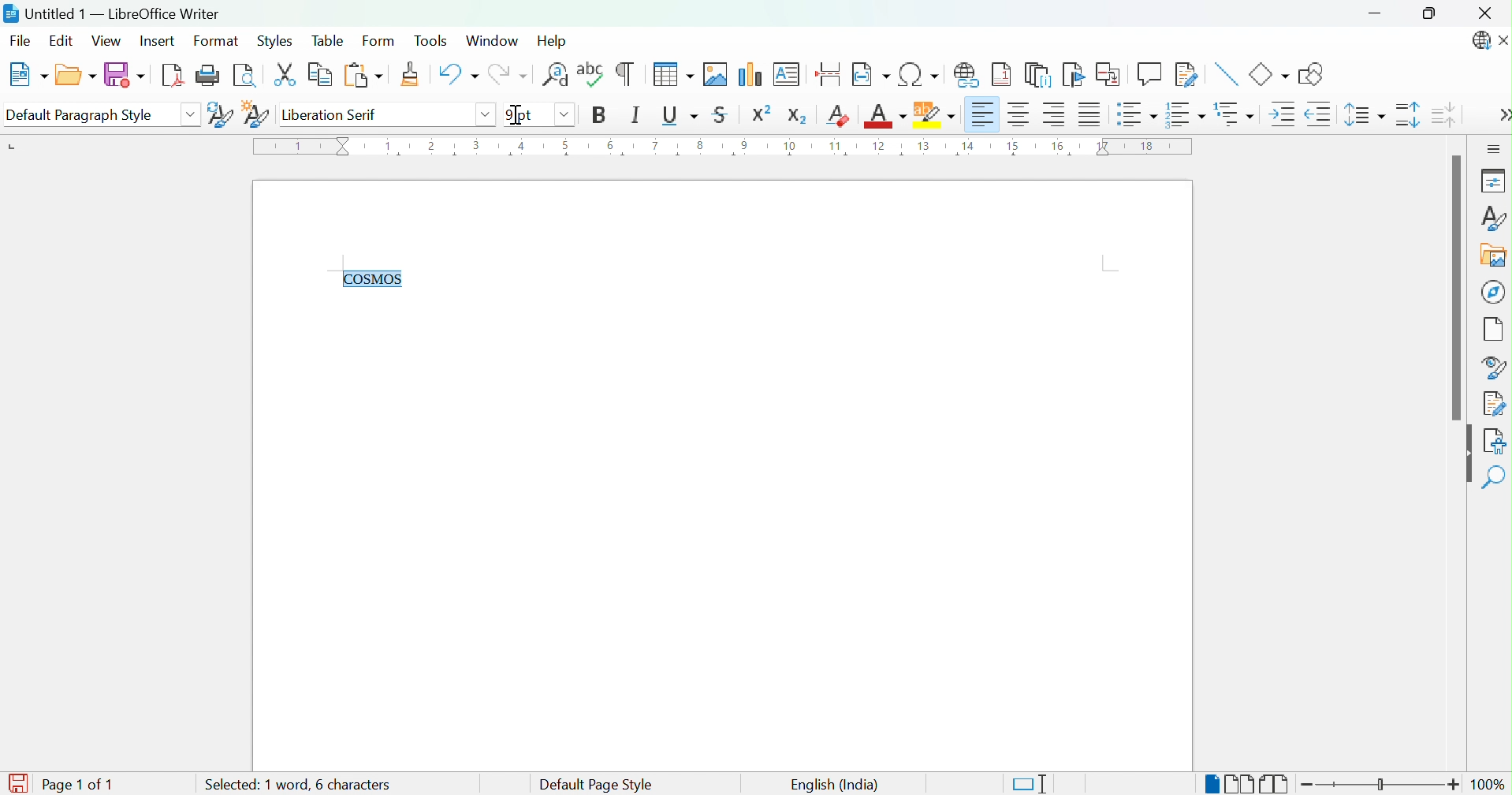 This screenshot has height=795, width=1512. I want to click on Close, so click(1503, 42).